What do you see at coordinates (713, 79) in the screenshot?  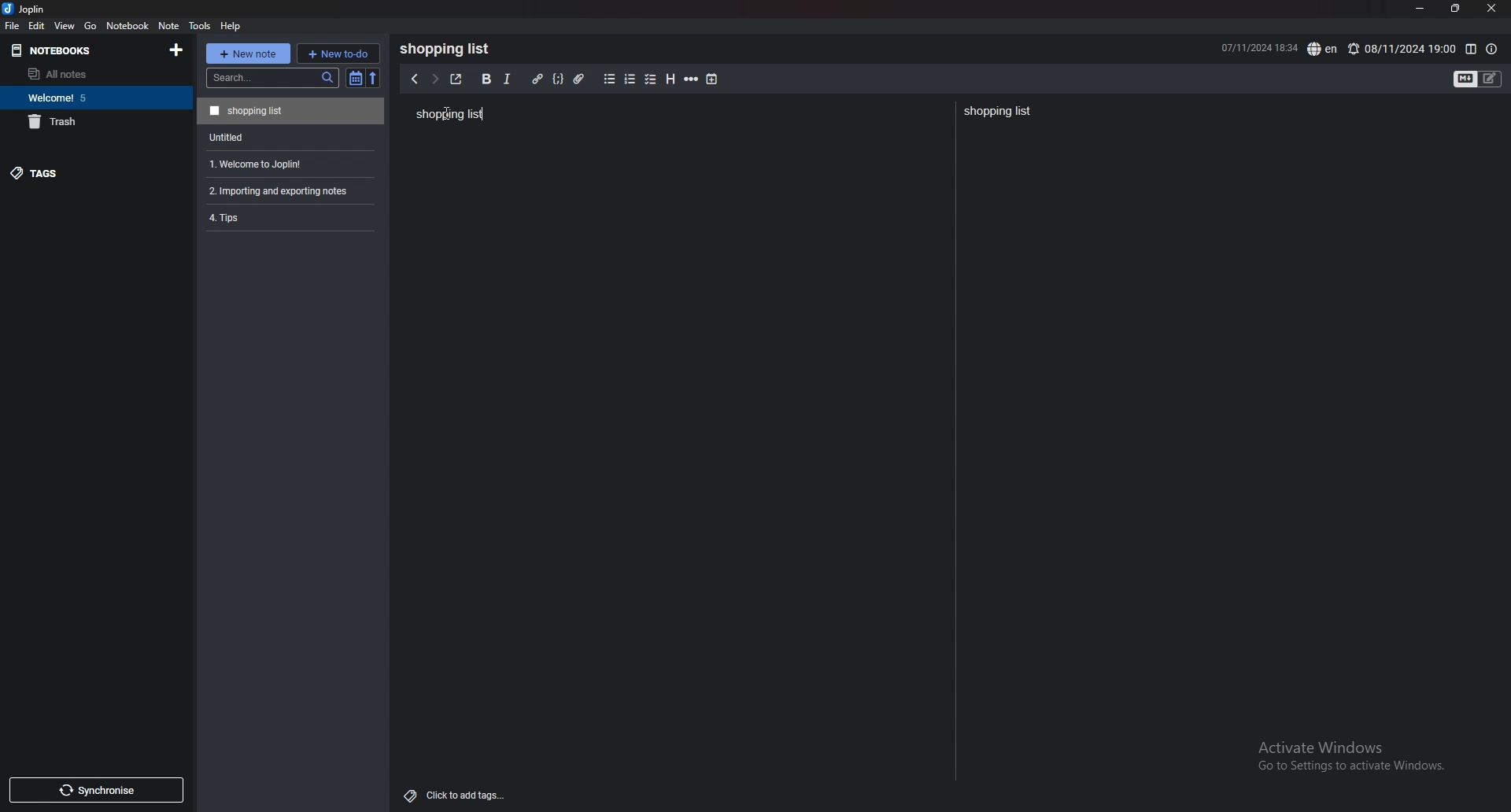 I see `add time` at bounding box center [713, 79].